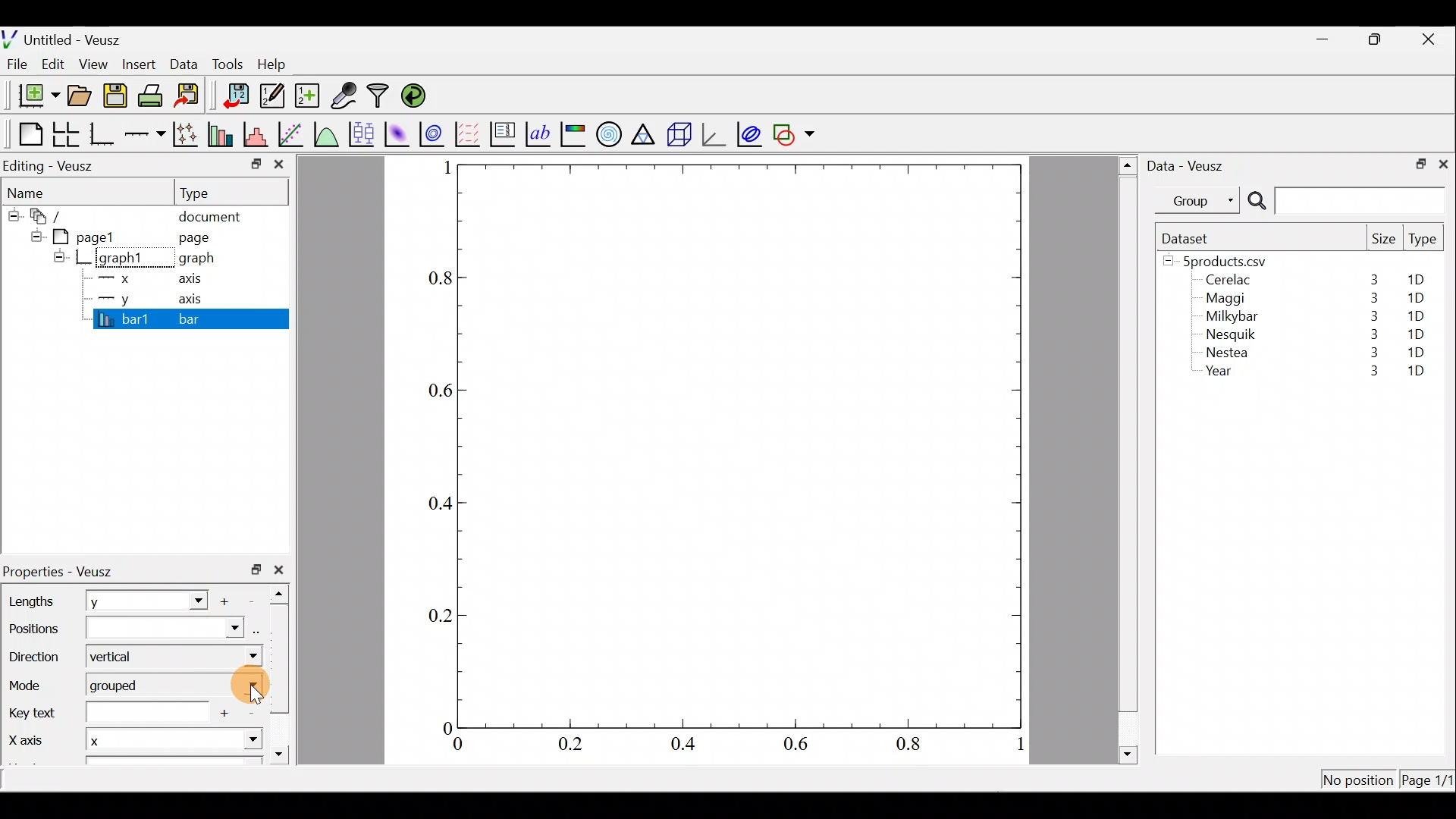  Describe the element at coordinates (192, 96) in the screenshot. I see `Export to graphics format` at that location.